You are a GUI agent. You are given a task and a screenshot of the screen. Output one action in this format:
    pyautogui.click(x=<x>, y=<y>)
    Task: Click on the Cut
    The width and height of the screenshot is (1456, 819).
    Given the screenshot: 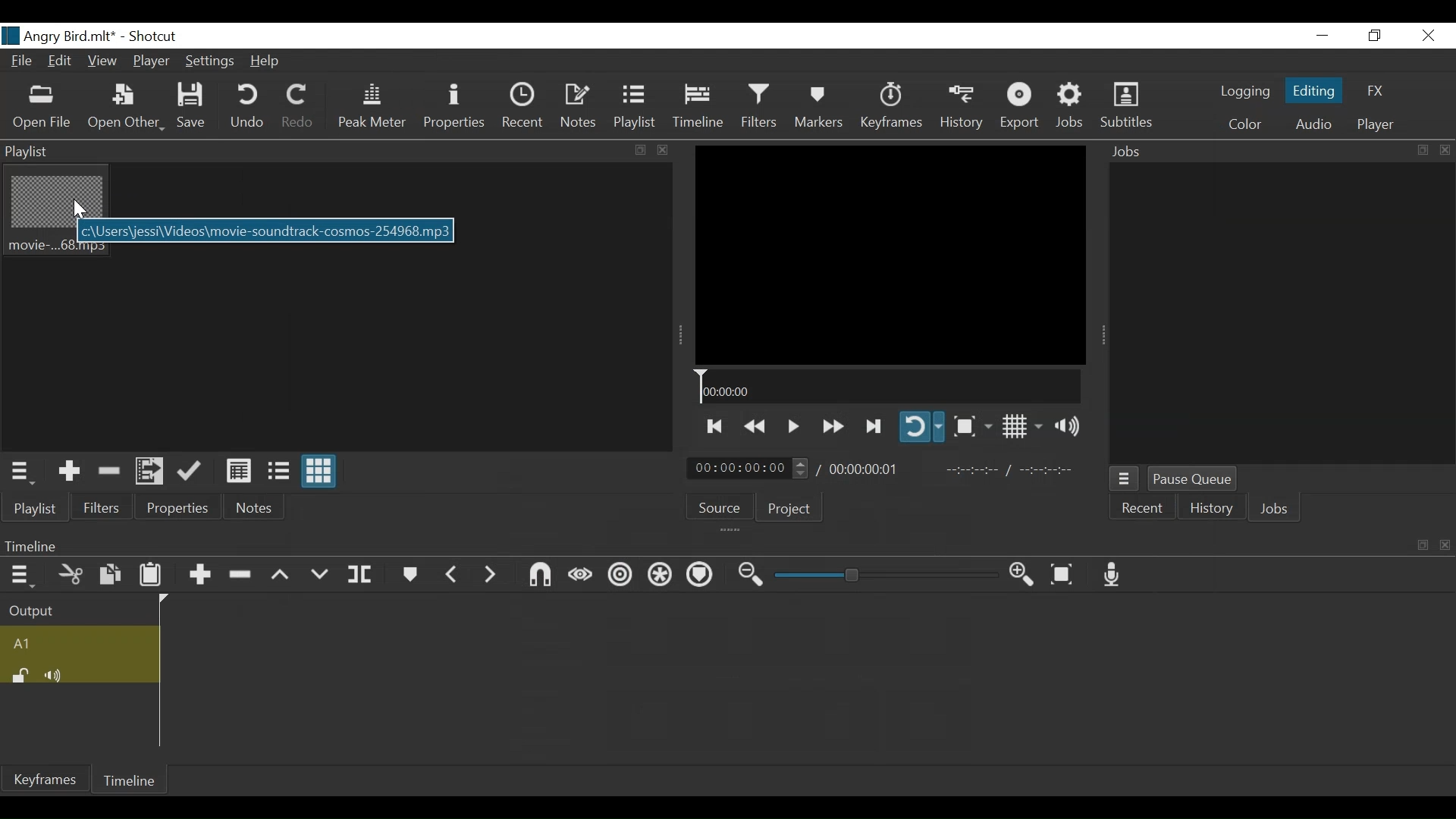 What is the action you would take?
    pyautogui.click(x=67, y=573)
    